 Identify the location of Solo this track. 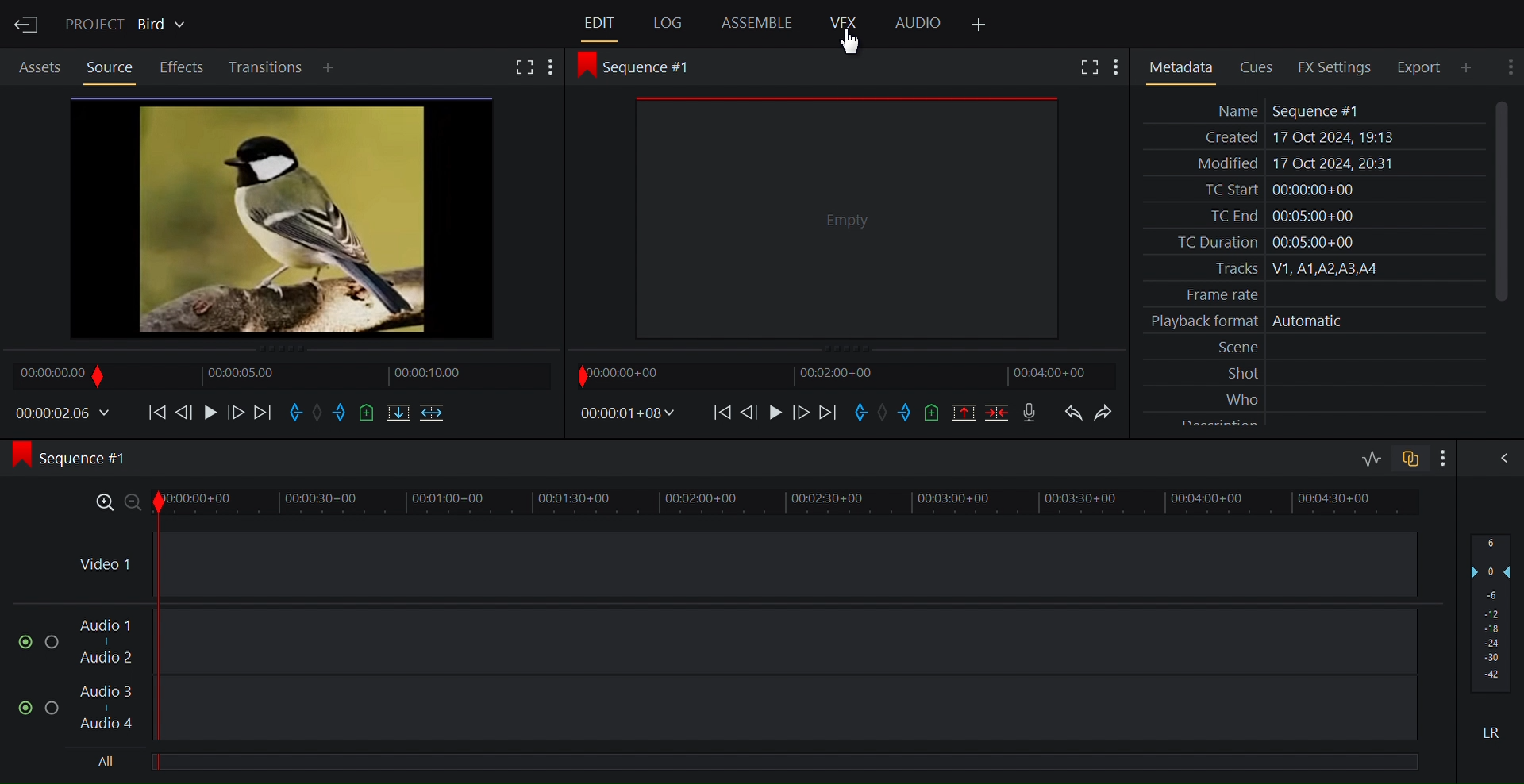
(53, 640).